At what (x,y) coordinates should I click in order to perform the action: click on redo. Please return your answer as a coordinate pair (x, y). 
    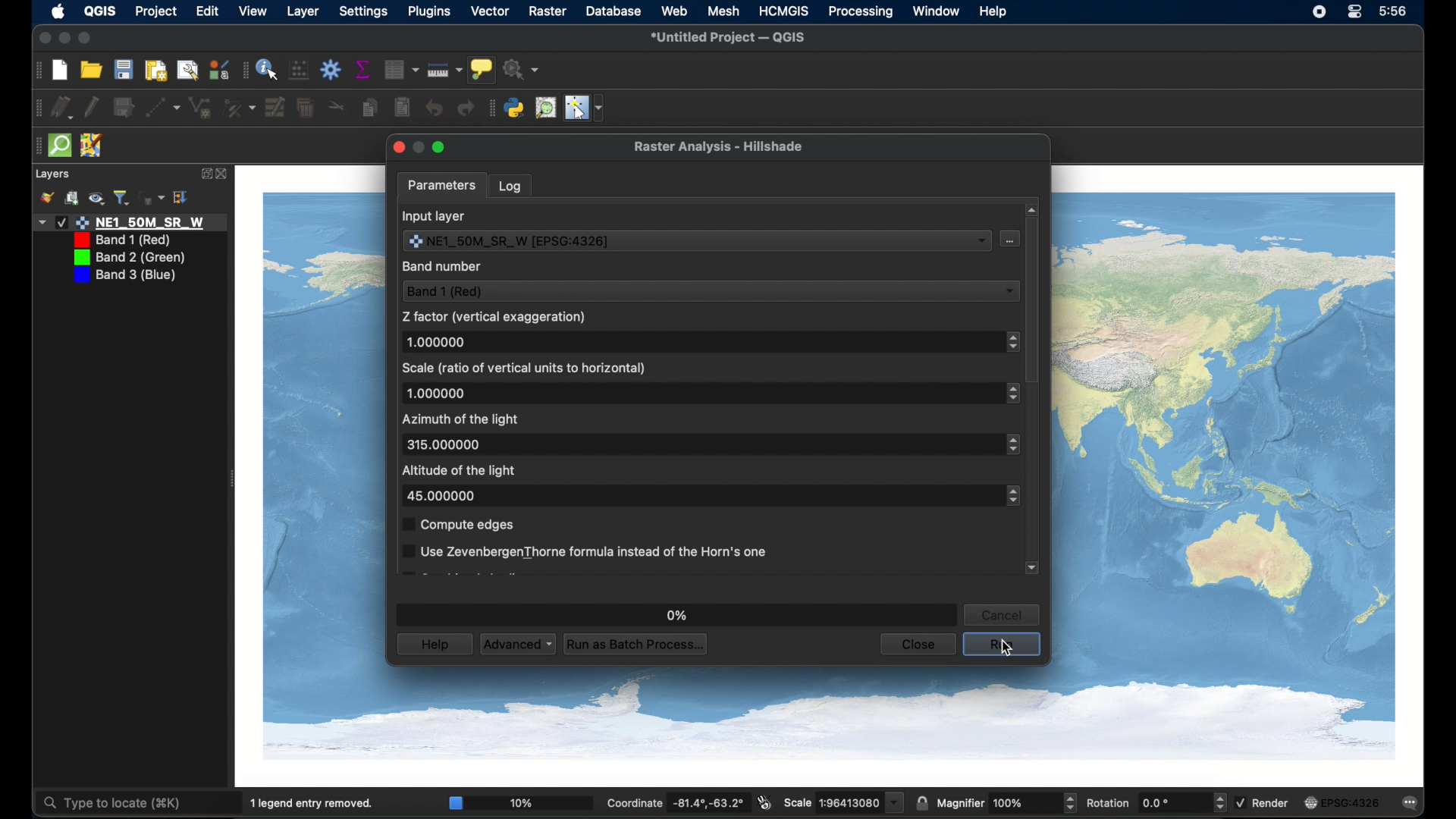
    Looking at the image, I should click on (465, 108).